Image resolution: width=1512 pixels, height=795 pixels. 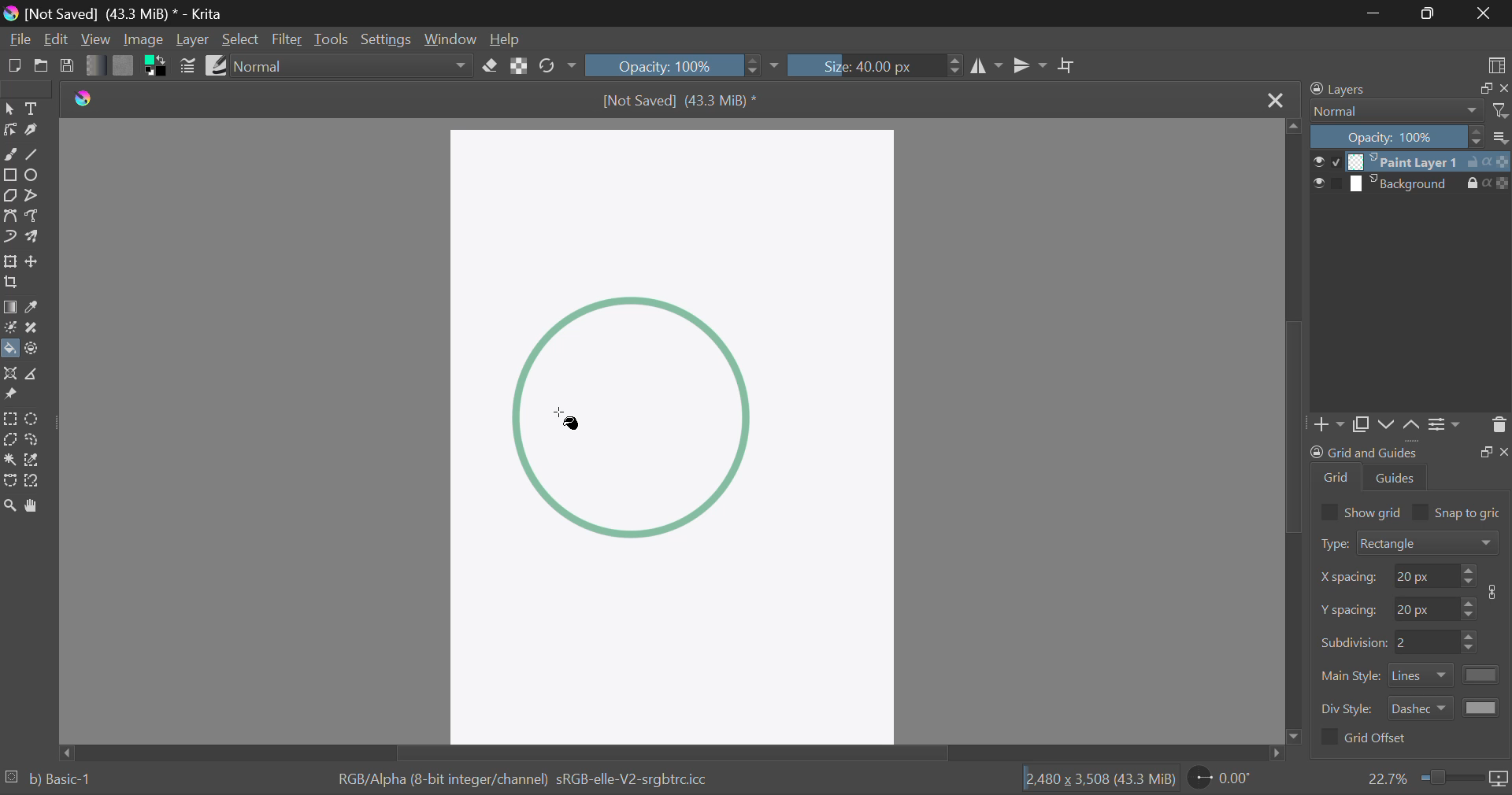 What do you see at coordinates (1495, 65) in the screenshot?
I see `Choose Workspace` at bounding box center [1495, 65].